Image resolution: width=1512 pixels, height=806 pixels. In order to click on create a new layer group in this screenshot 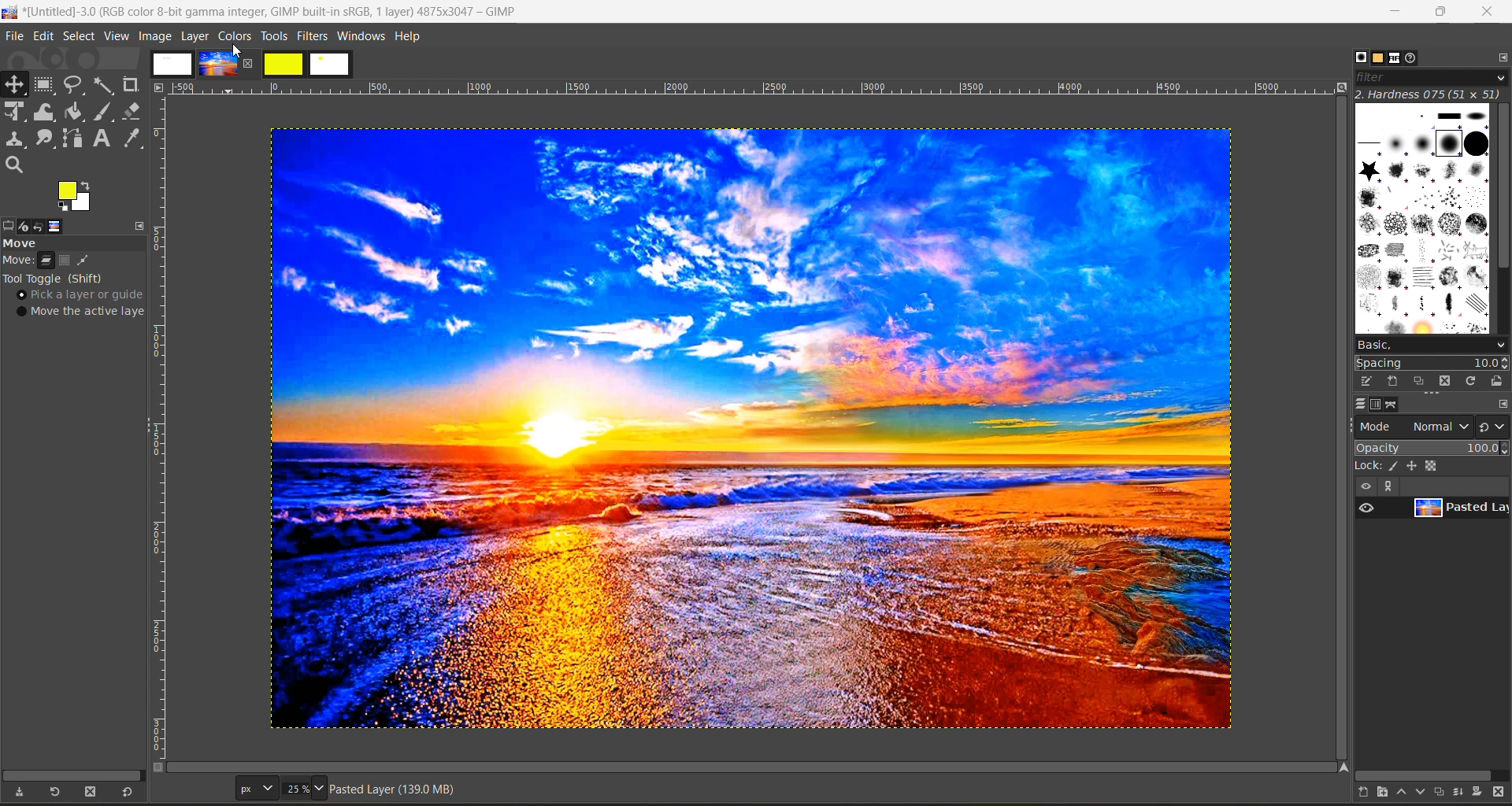, I will do `click(1390, 793)`.